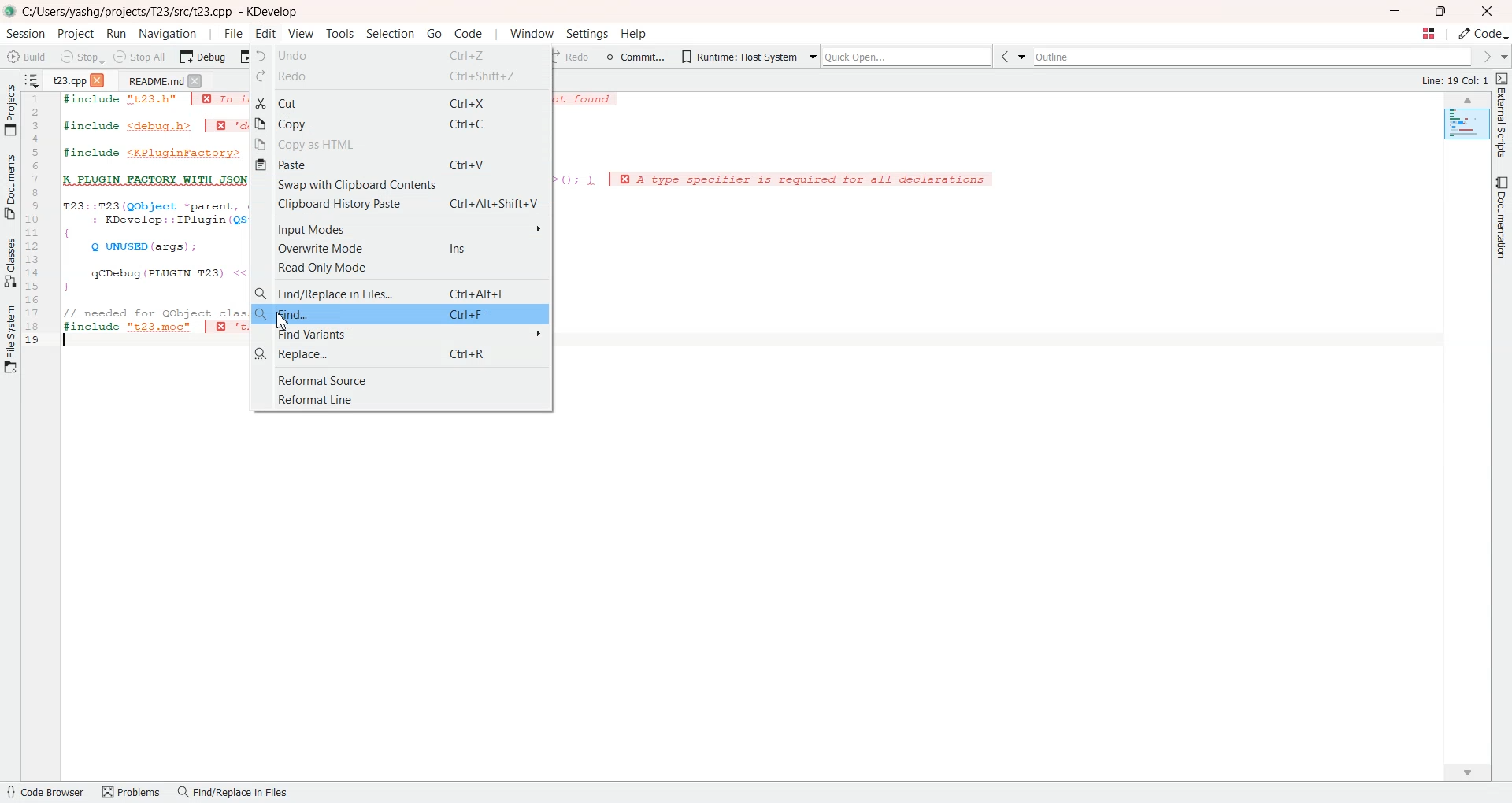 This screenshot has width=1512, height=803. I want to click on Run, so click(117, 33).